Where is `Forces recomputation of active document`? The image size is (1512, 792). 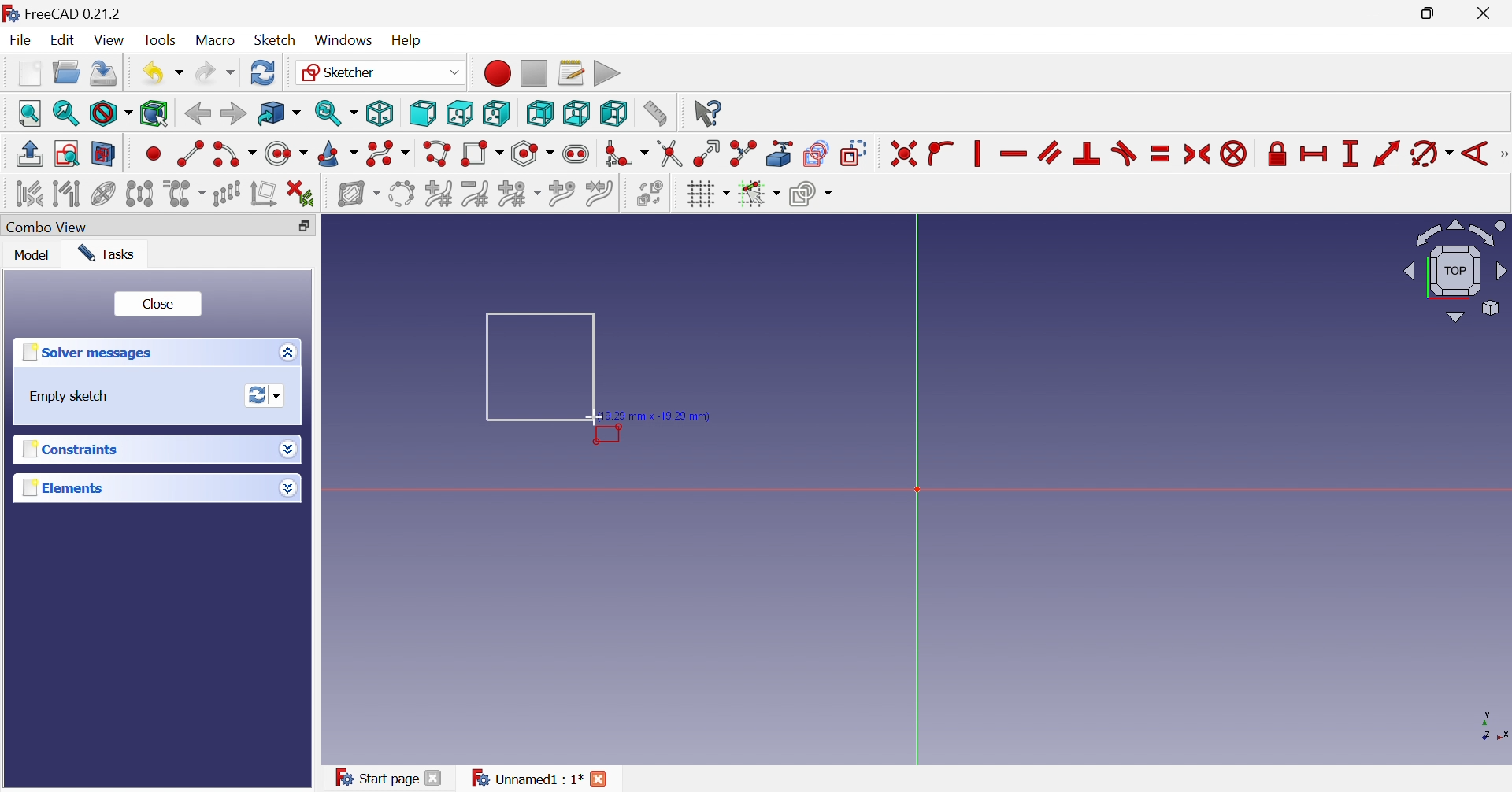
Forces recomputation of active document is located at coordinates (265, 396).